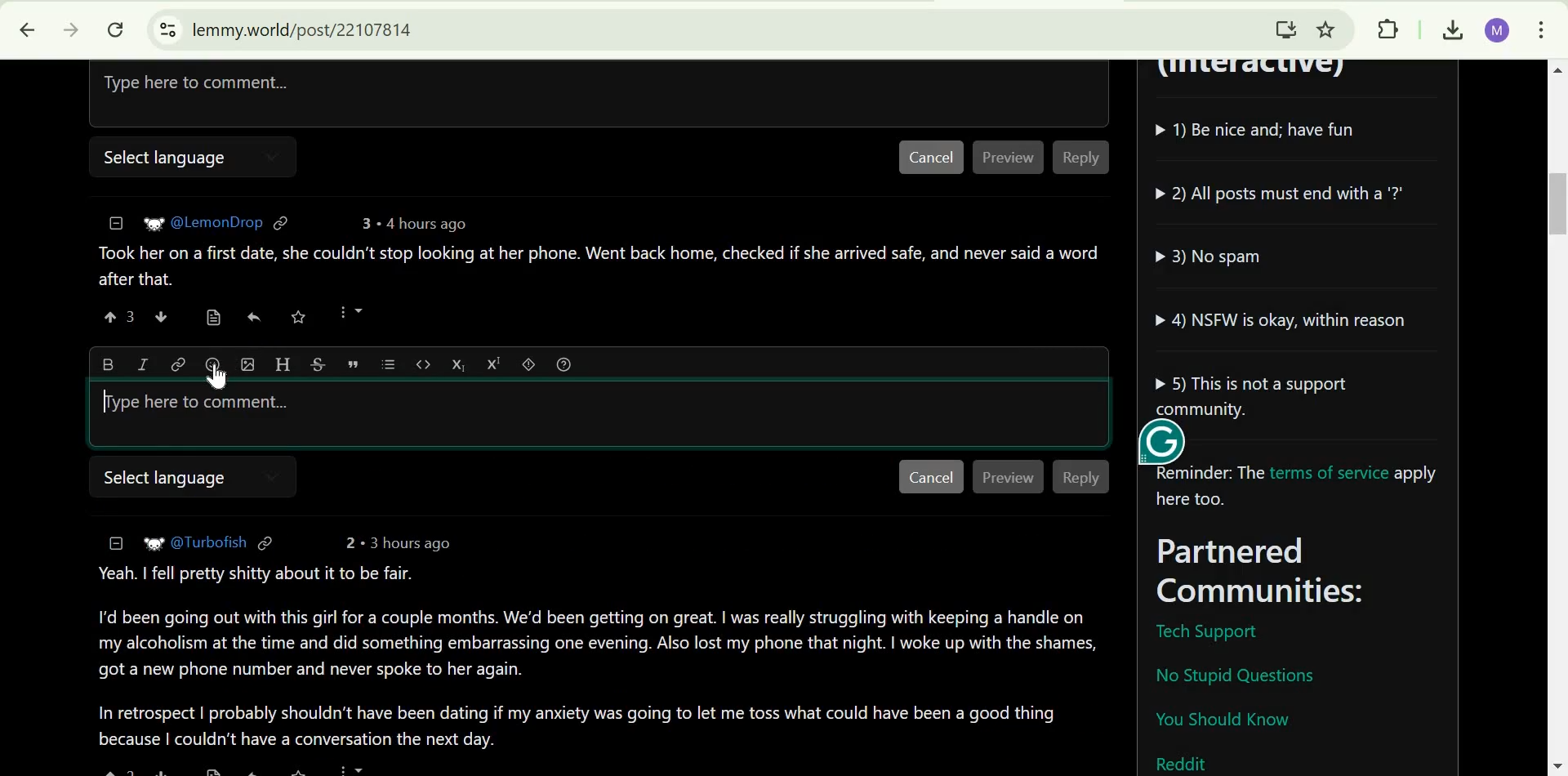 The height and width of the screenshot is (776, 1568). Describe the element at coordinates (1497, 31) in the screenshot. I see `Google Account` at that location.